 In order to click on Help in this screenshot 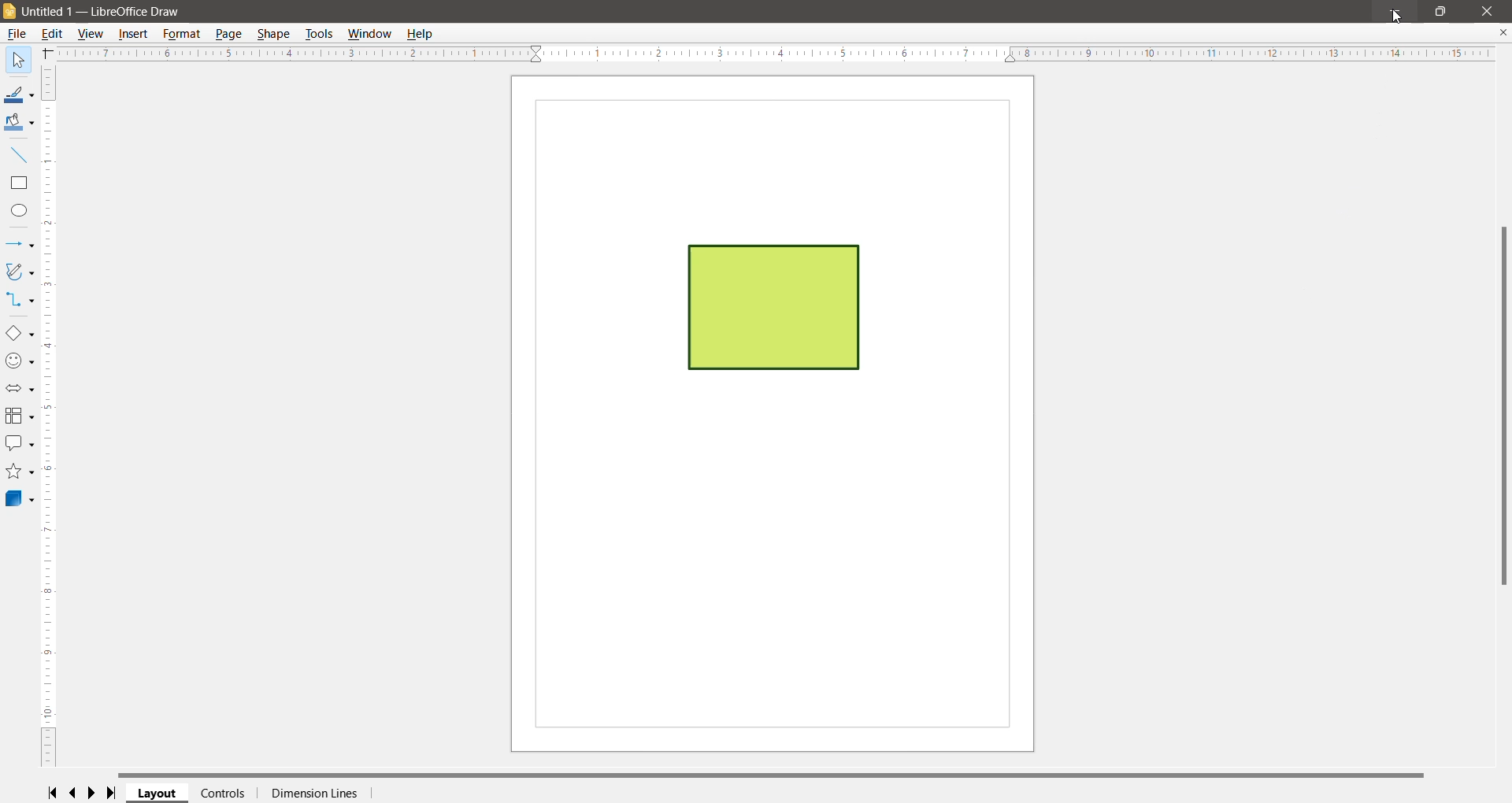, I will do `click(16, 61)`.